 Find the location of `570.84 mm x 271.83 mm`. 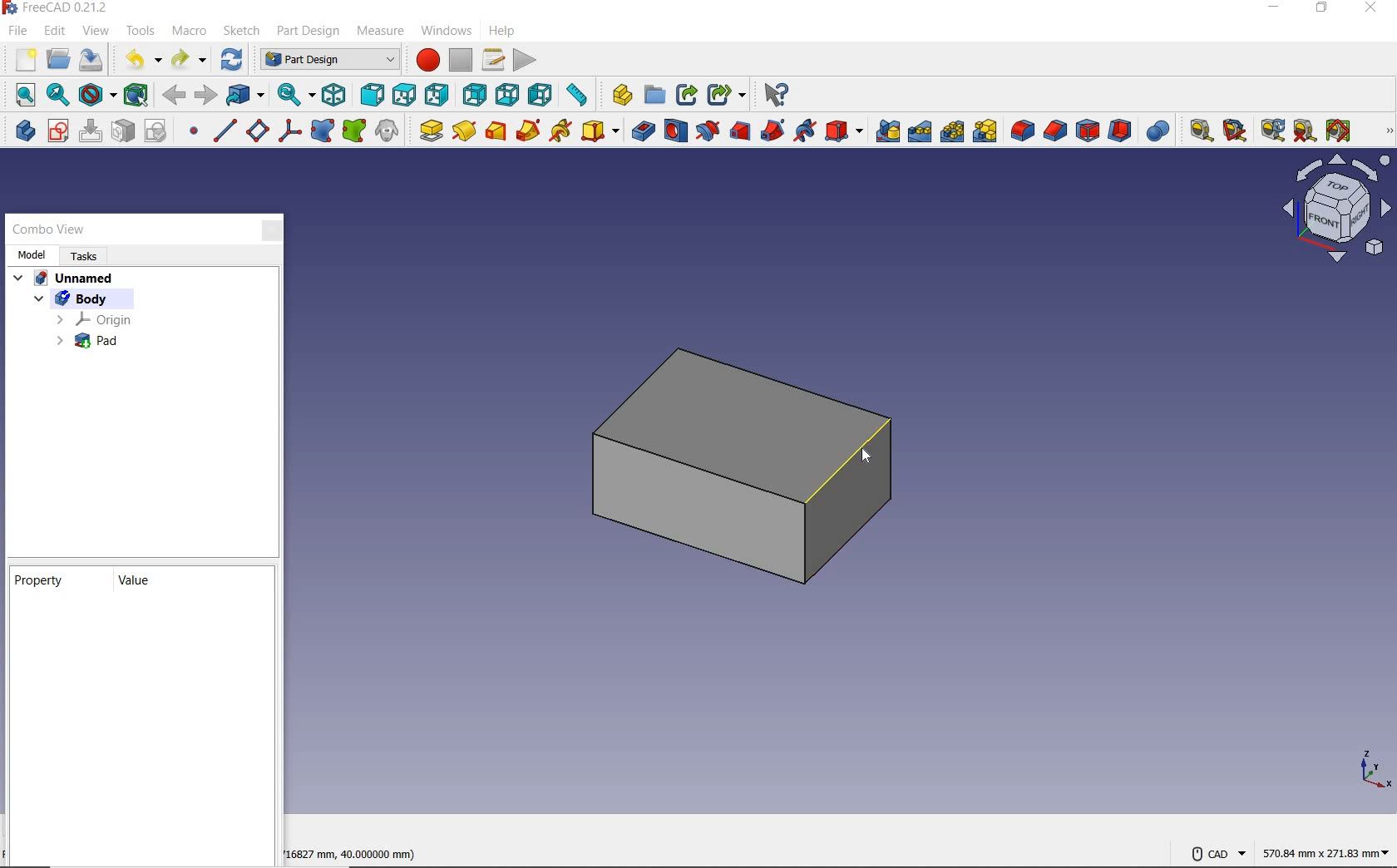

570.84 mm x 271.83 mm is located at coordinates (1323, 851).